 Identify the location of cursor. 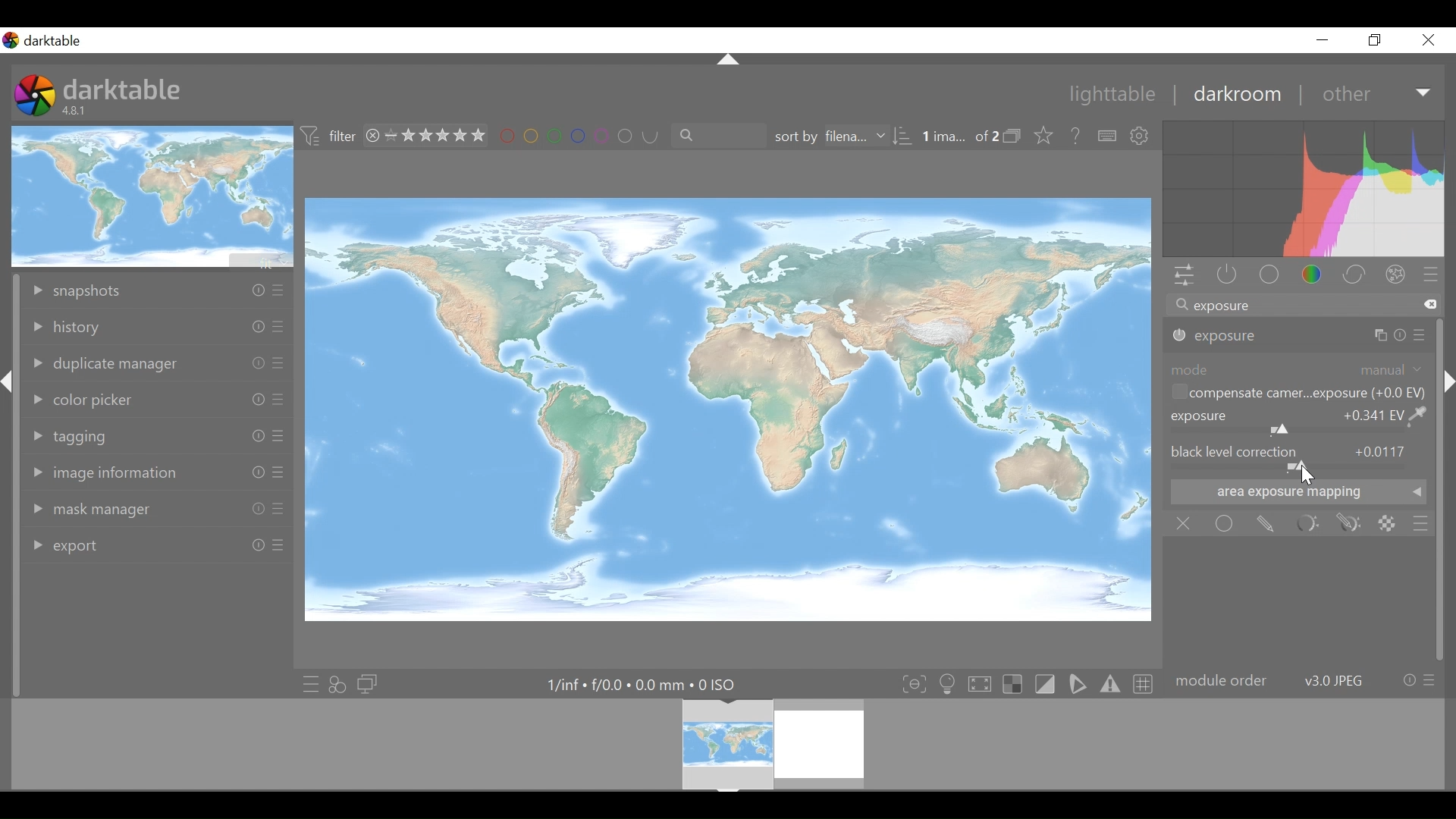
(1307, 478).